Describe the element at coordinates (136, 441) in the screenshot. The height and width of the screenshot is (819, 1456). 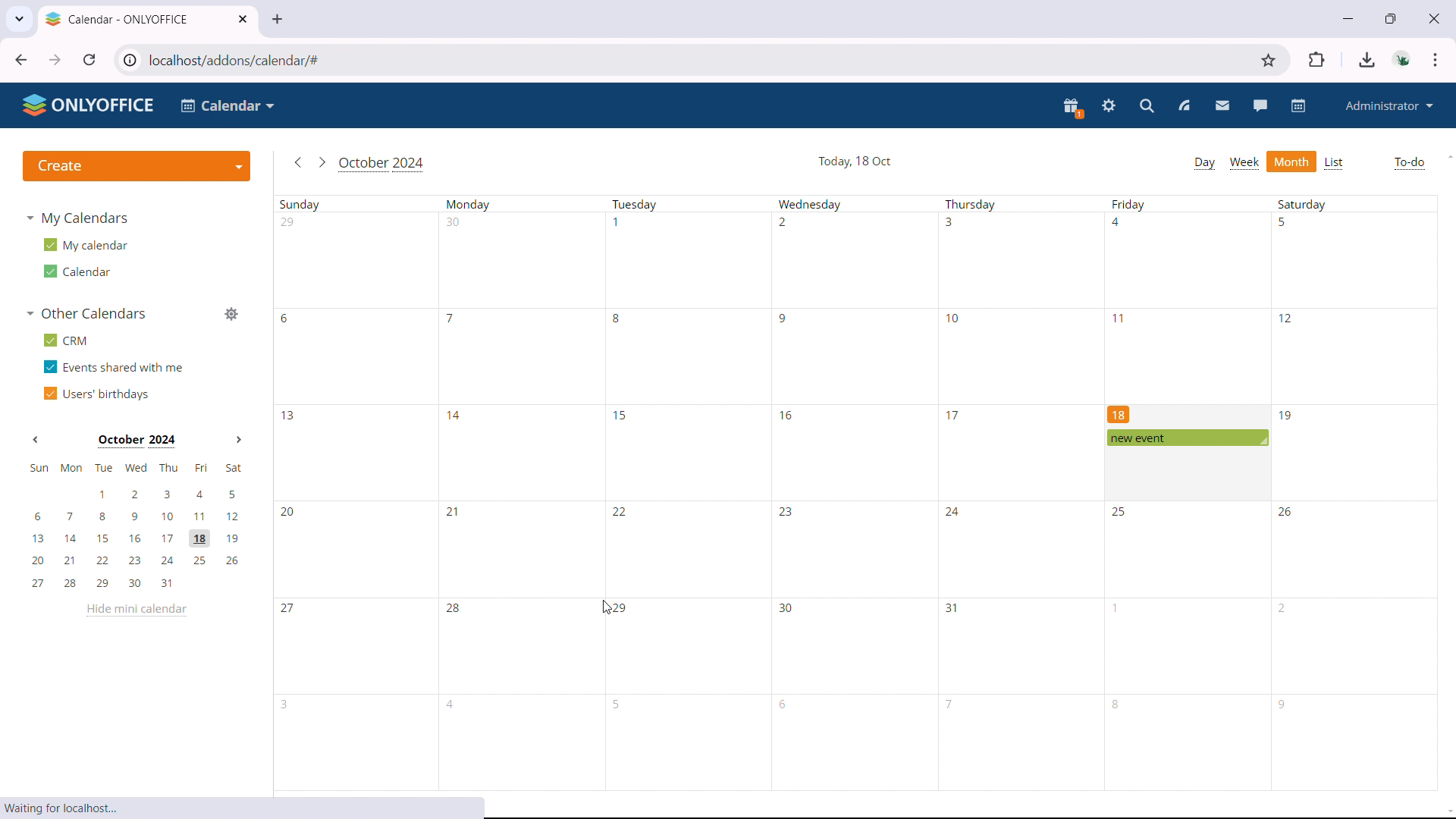
I see `October 2024` at that location.